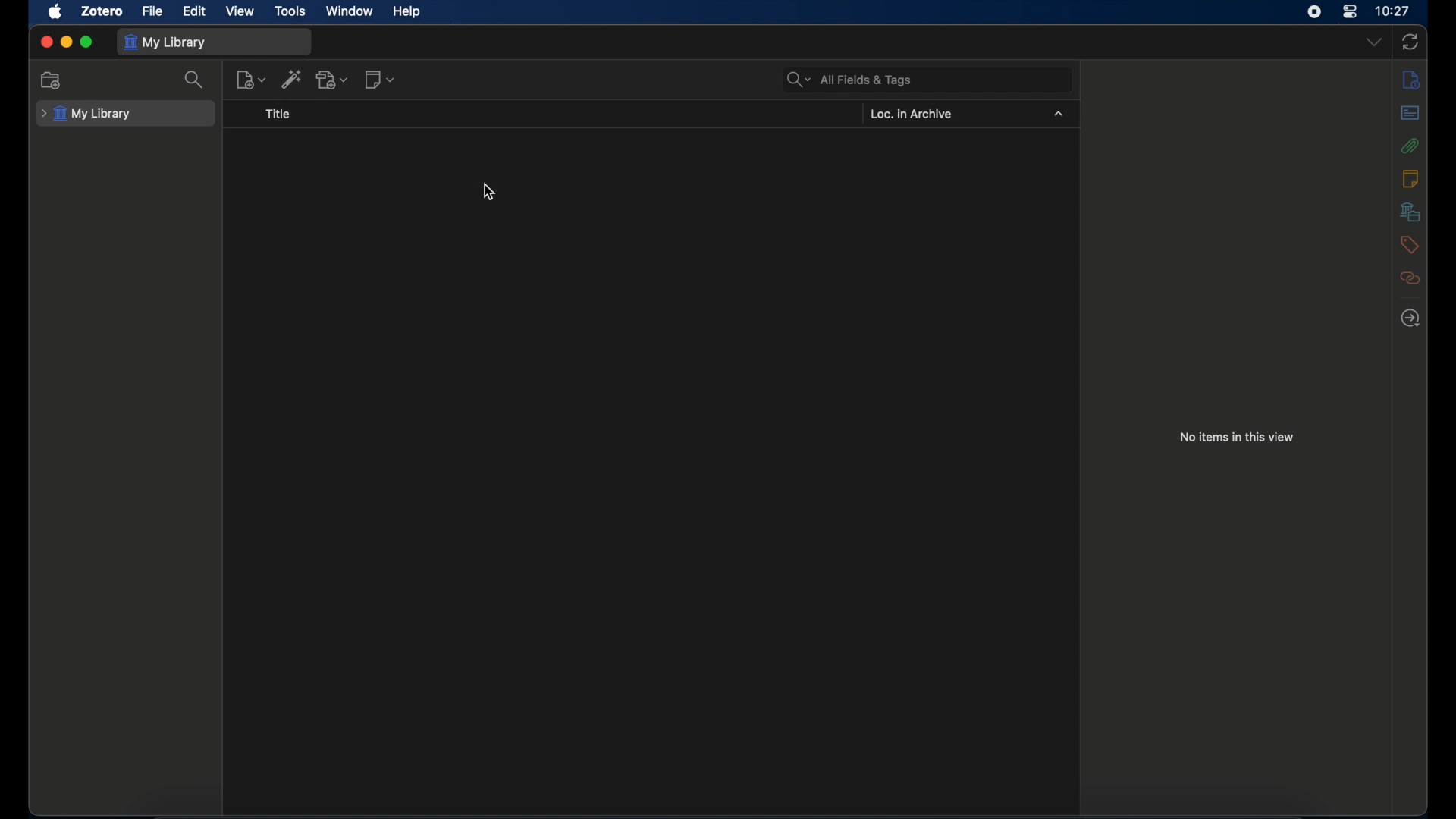 The image size is (1456, 819). I want to click on close, so click(46, 42).